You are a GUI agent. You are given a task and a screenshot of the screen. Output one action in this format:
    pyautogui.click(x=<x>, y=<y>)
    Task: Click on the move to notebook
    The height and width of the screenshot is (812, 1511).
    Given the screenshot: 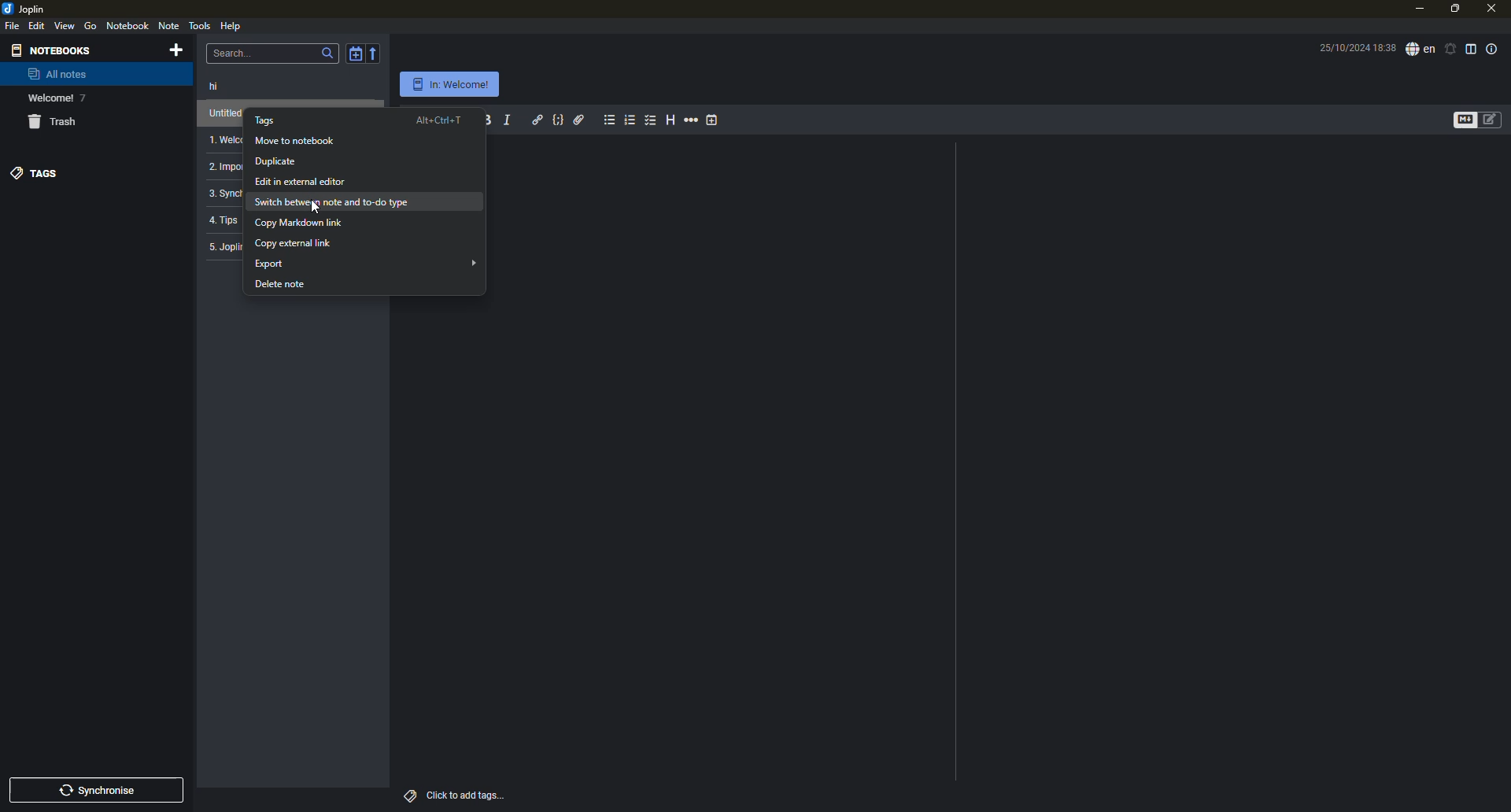 What is the action you would take?
    pyautogui.click(x=294, y=140)
    